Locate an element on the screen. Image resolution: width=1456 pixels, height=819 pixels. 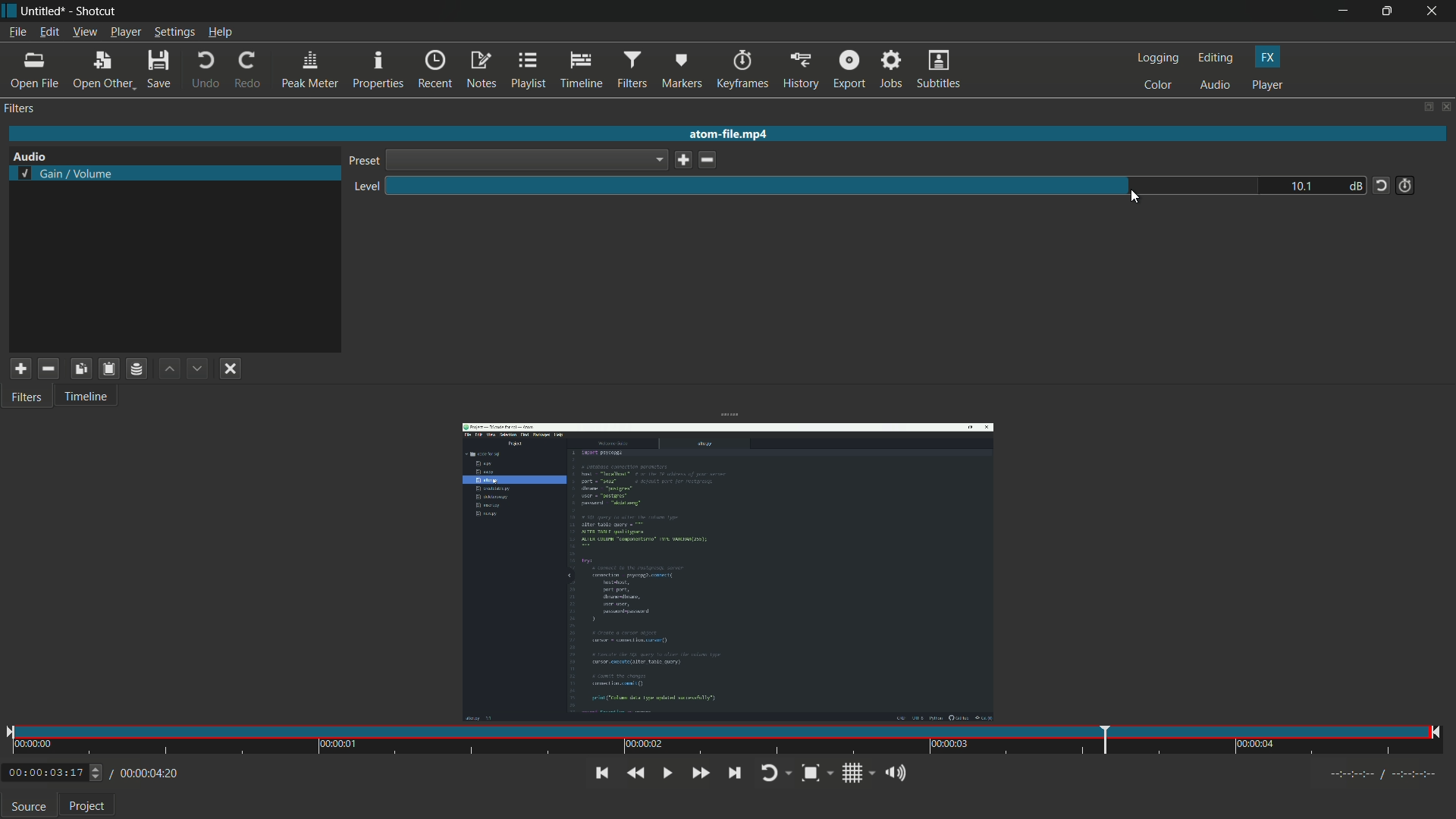
notes is located at coordinates (481, 70).